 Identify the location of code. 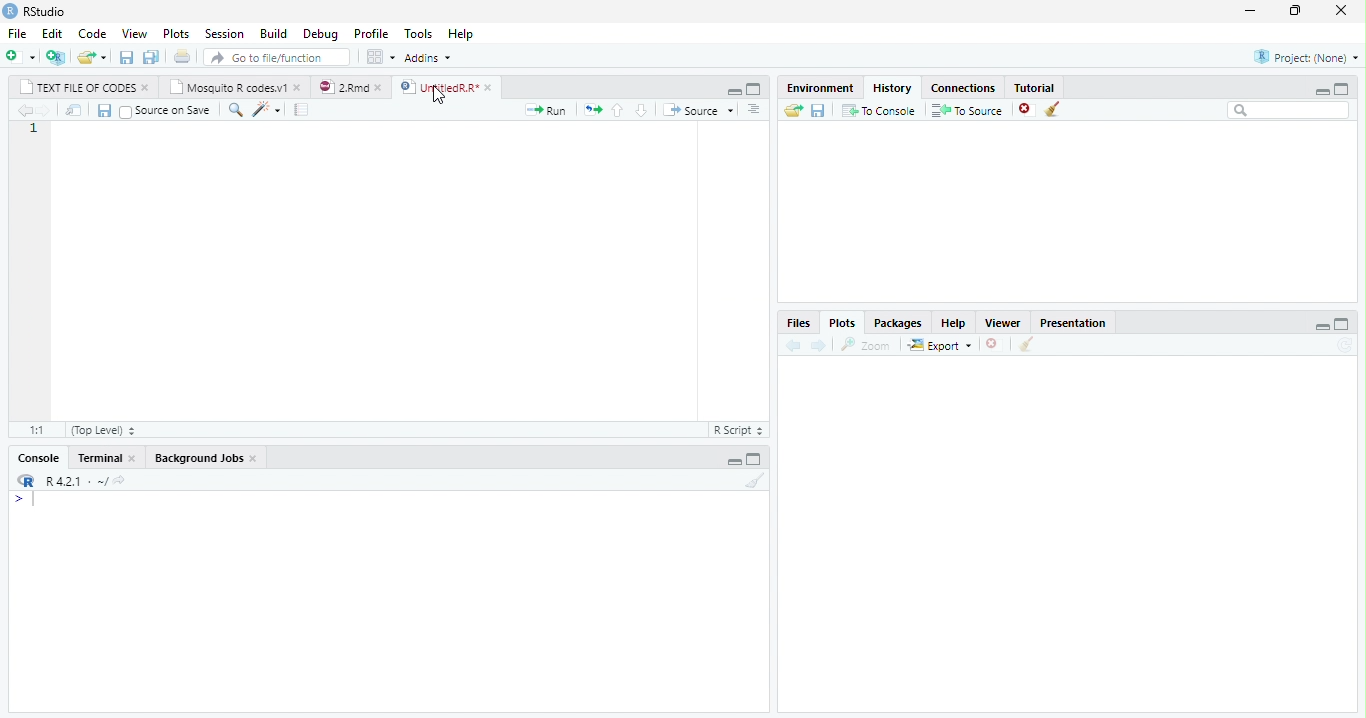
(89, 32).